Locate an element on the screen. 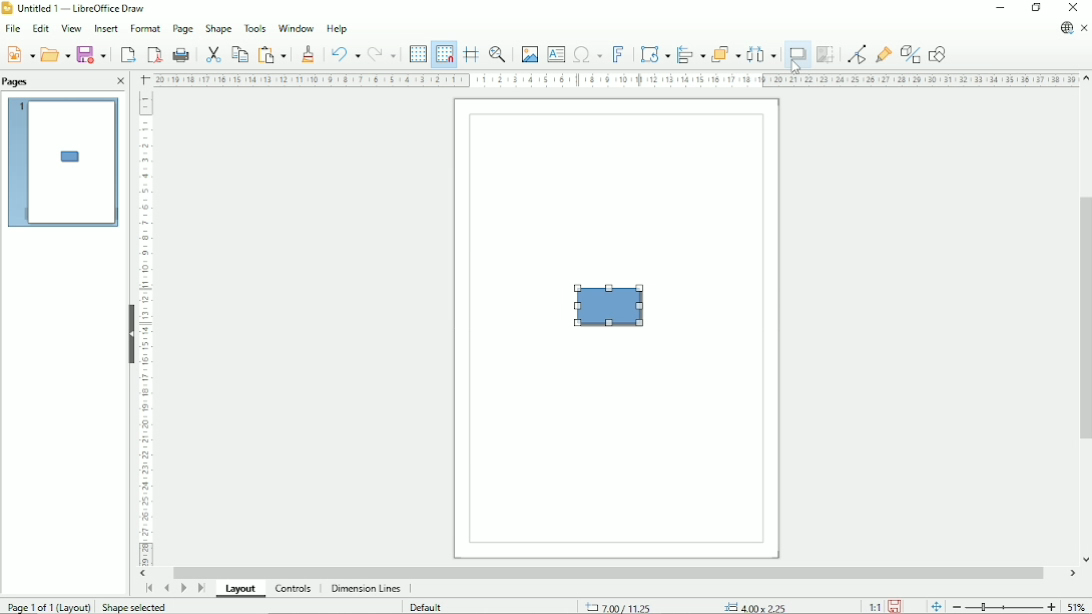 The height and width of the screenshot is (614, 1092). Shadow is located at coordinates (797, 55).